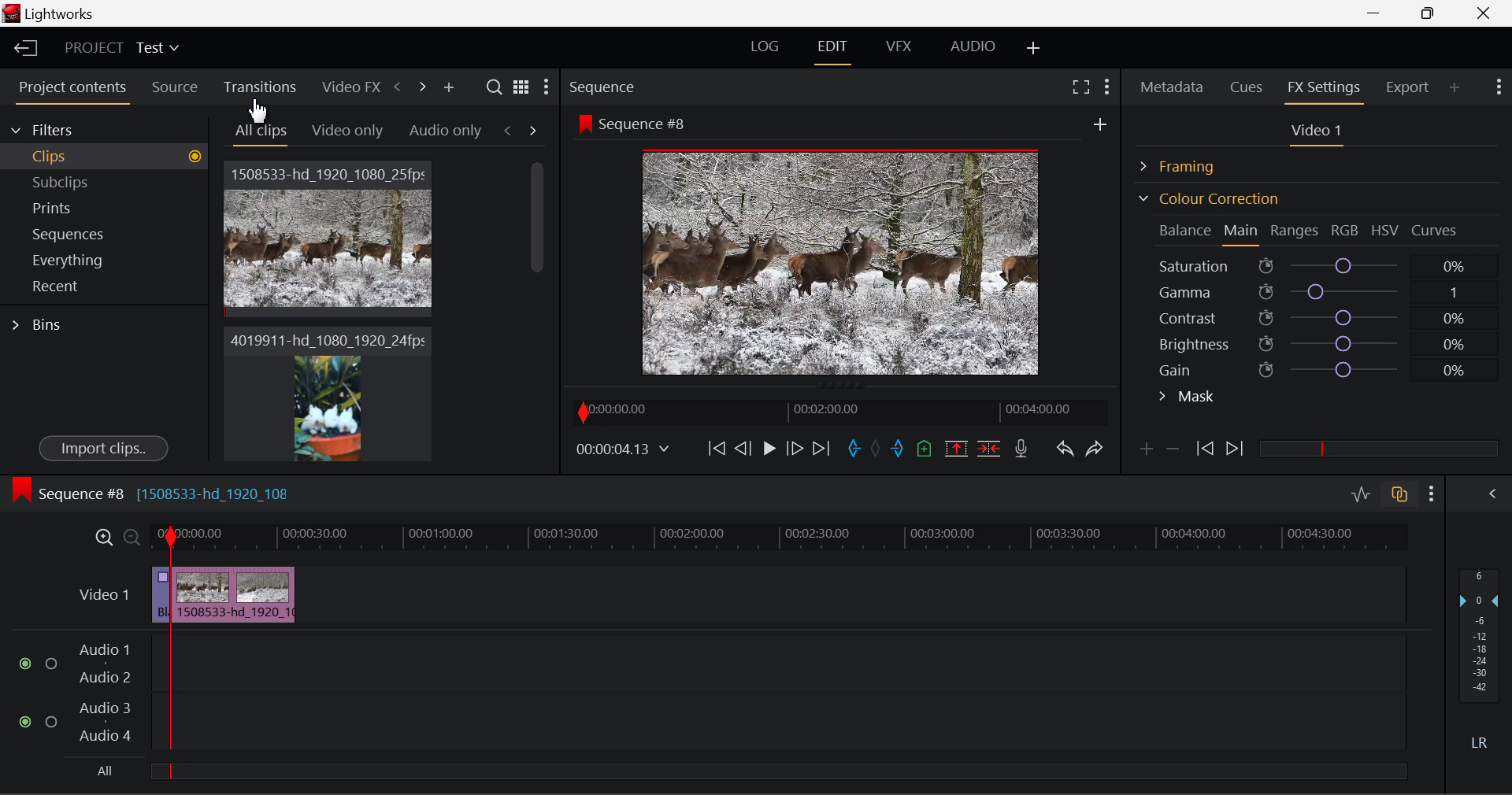 The height and width of the screenshot is (795, 1512). I want to click on slider, so click(777, 771).